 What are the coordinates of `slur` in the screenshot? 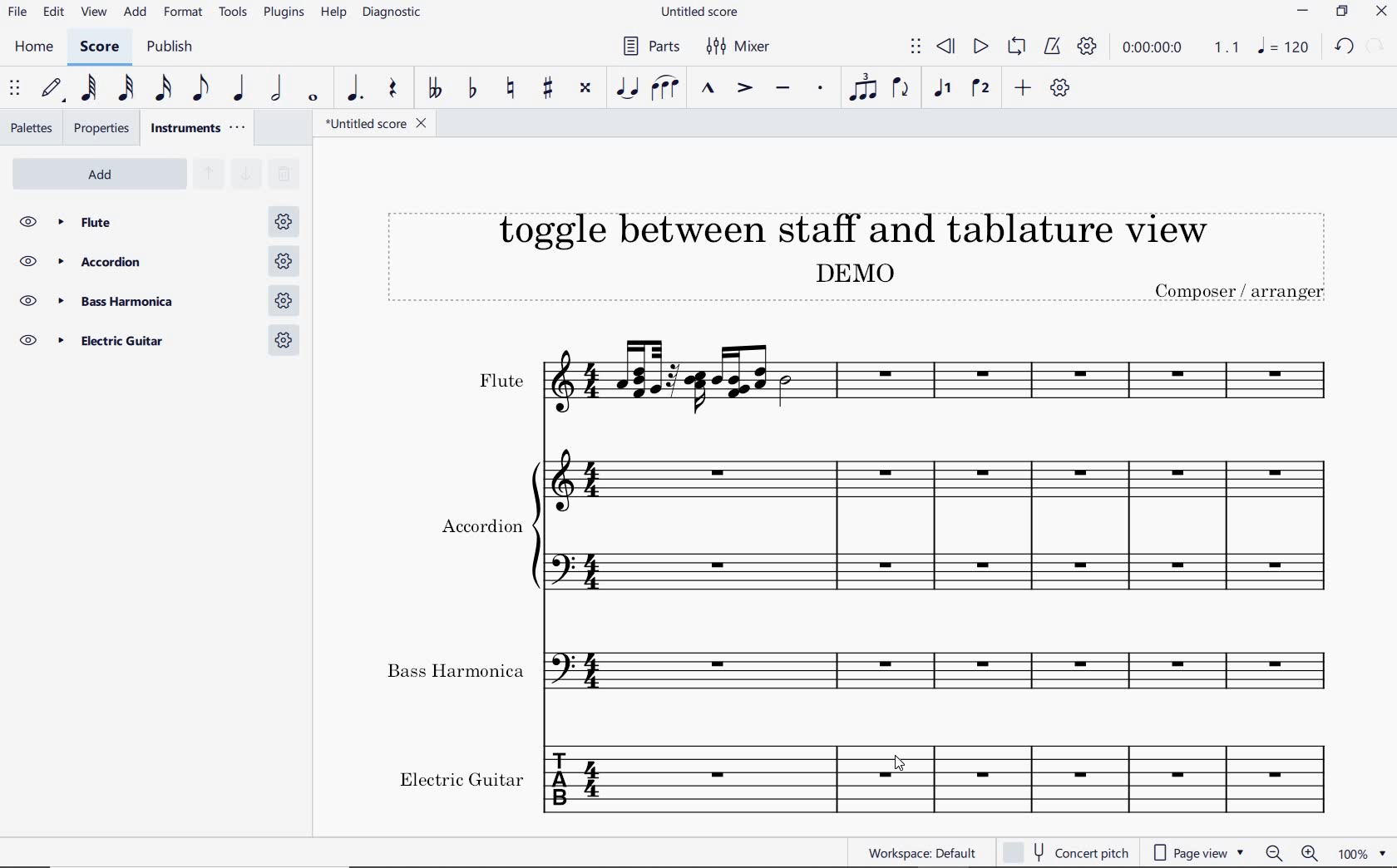 It's located at (666, 88).